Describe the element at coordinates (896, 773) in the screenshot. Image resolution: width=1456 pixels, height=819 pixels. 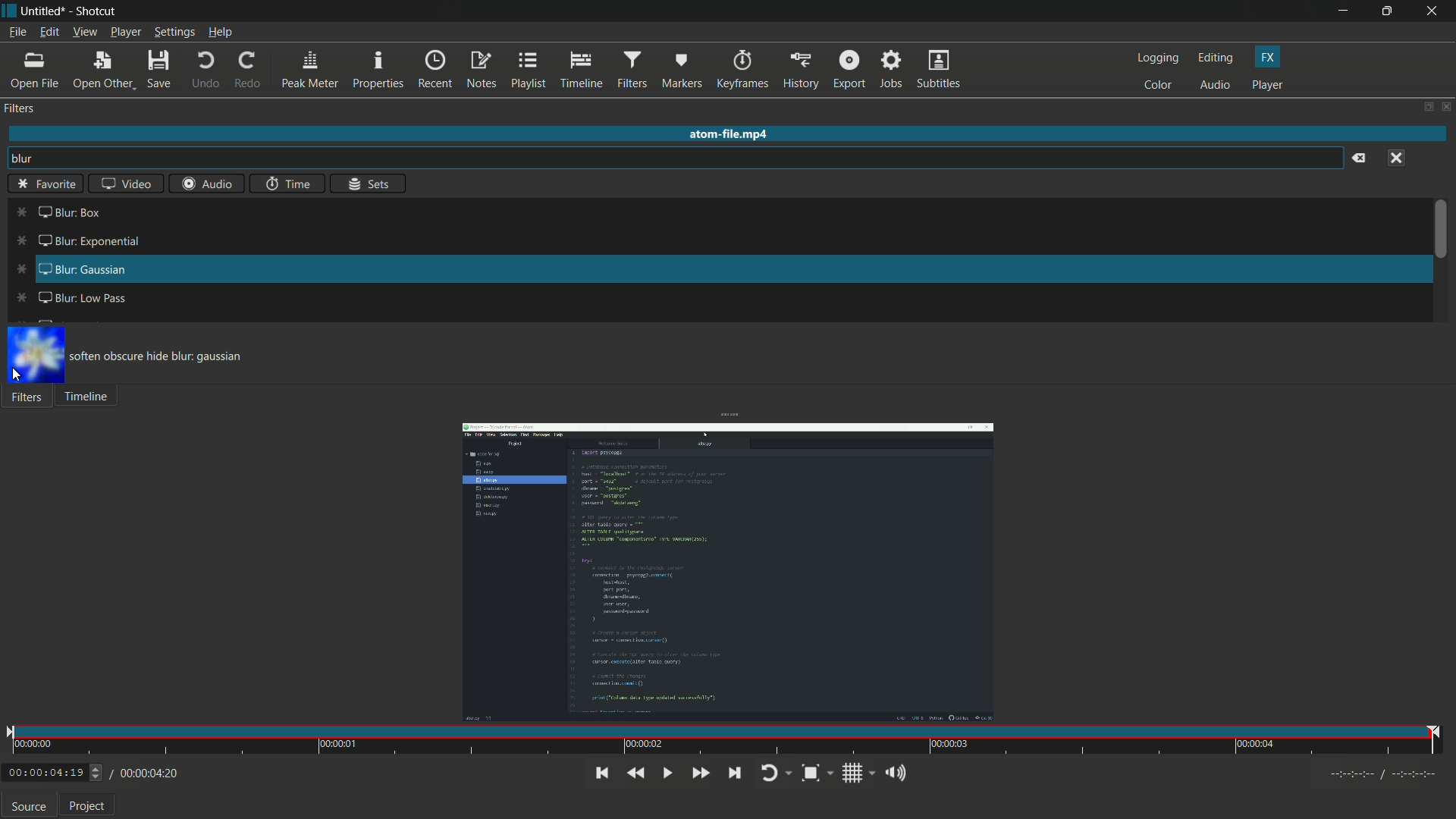
I see `show the volume control` at that location.